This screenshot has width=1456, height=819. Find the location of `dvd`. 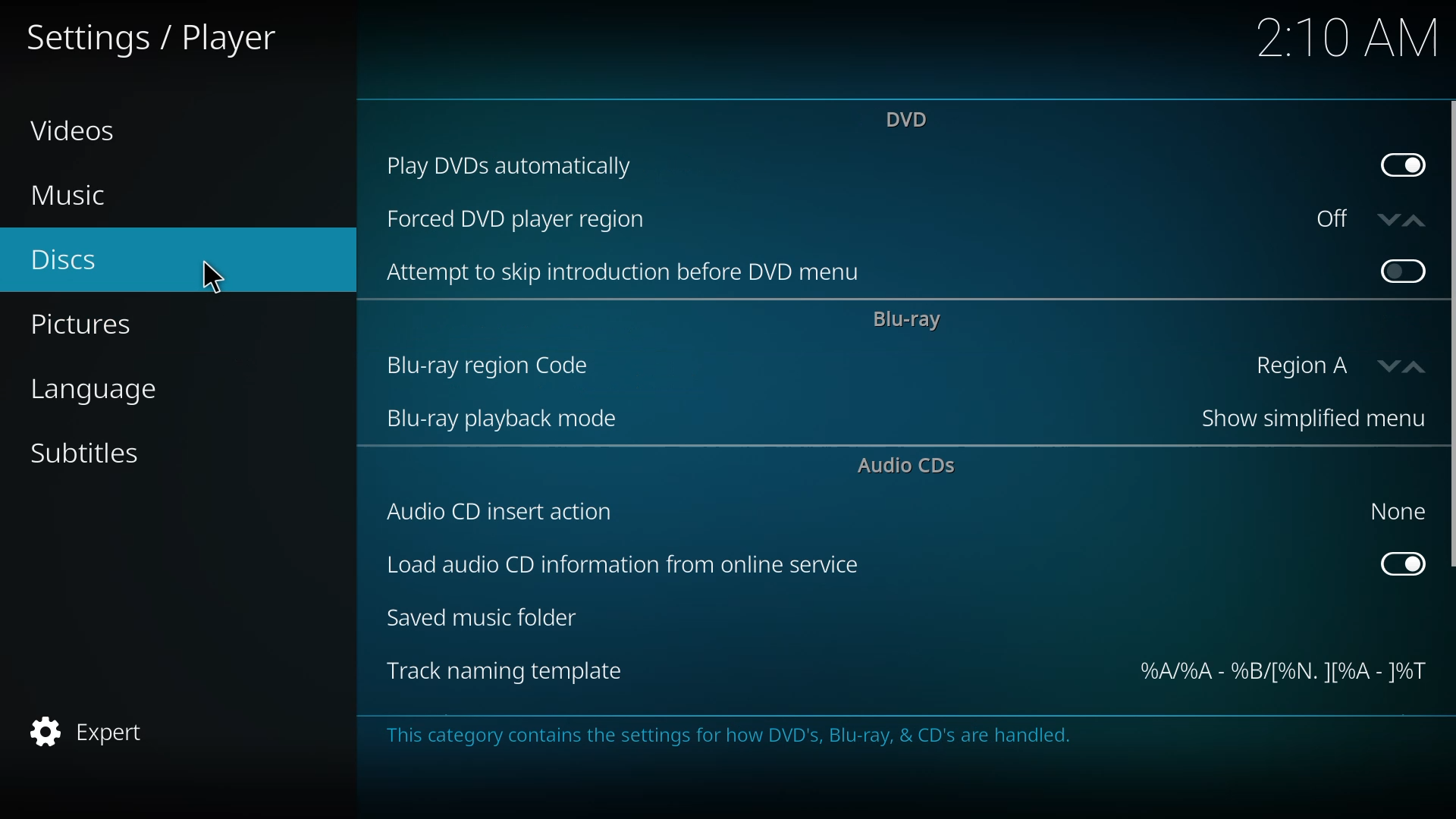

dvd is located at coordinates (910, 120).